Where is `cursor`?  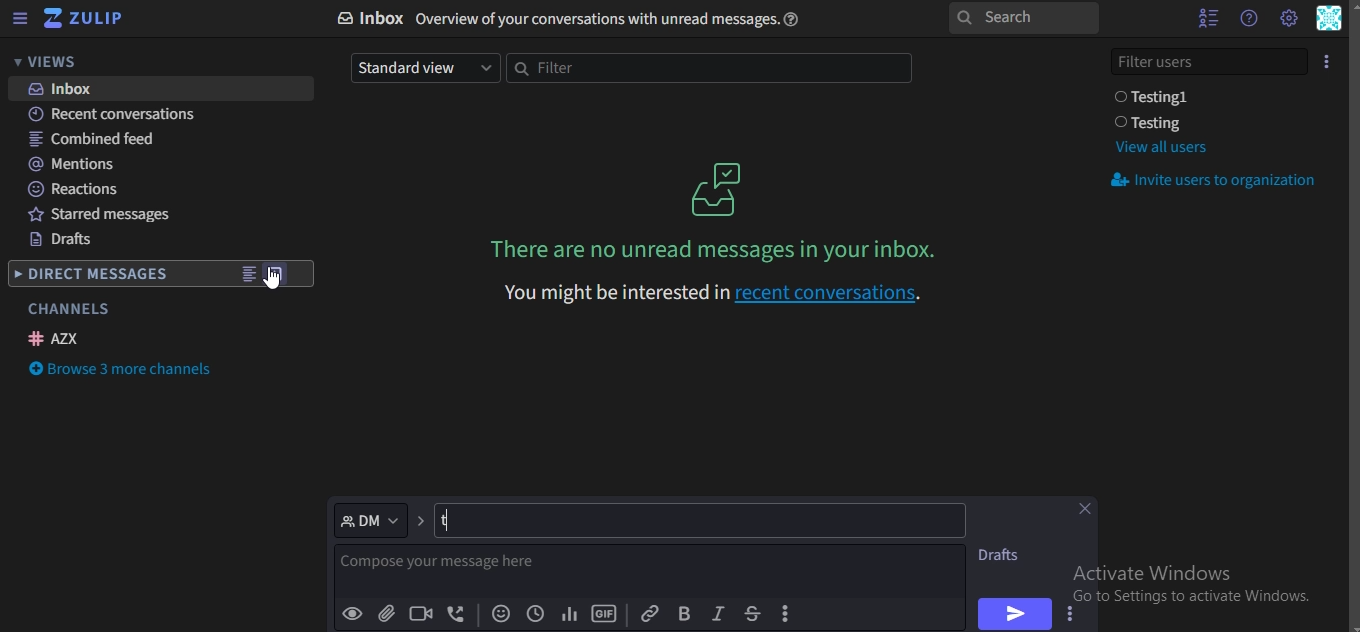
cursor is located at coordinates (278, 289).